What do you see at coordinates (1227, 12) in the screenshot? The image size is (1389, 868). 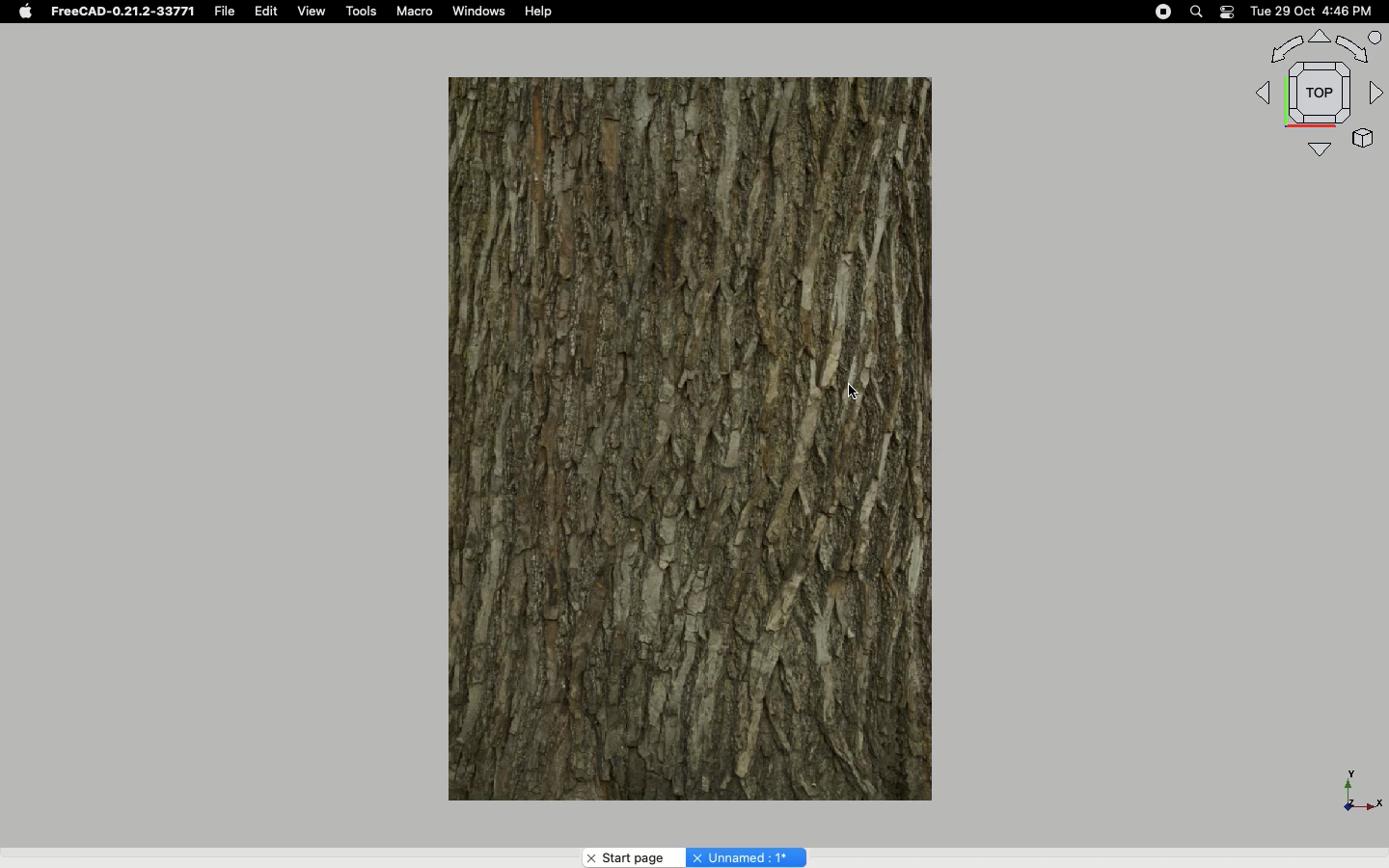 I see `Notification` at bounding box center [1227, 12].